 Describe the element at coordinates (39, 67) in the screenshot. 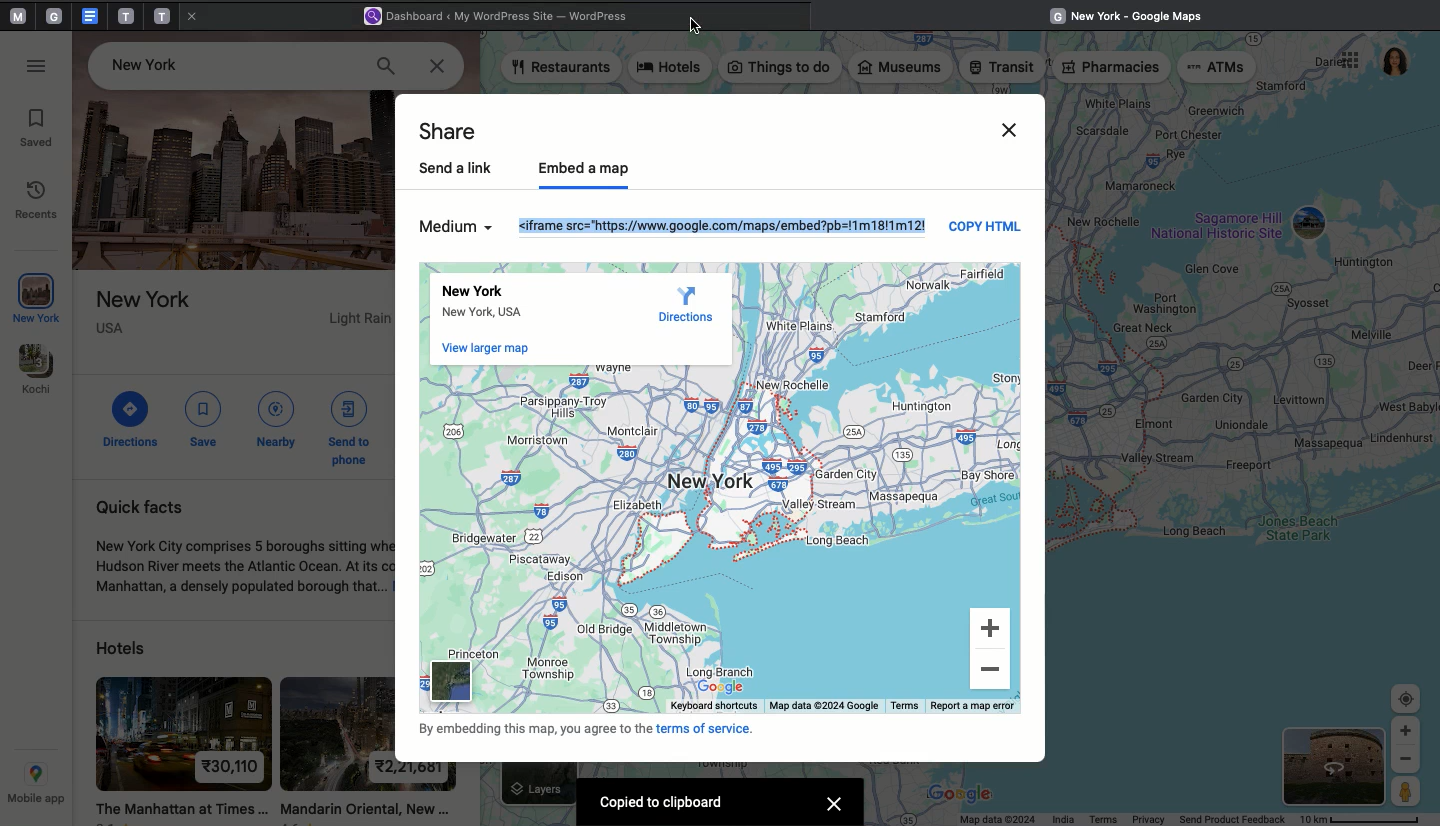

I see `Options` at that location.